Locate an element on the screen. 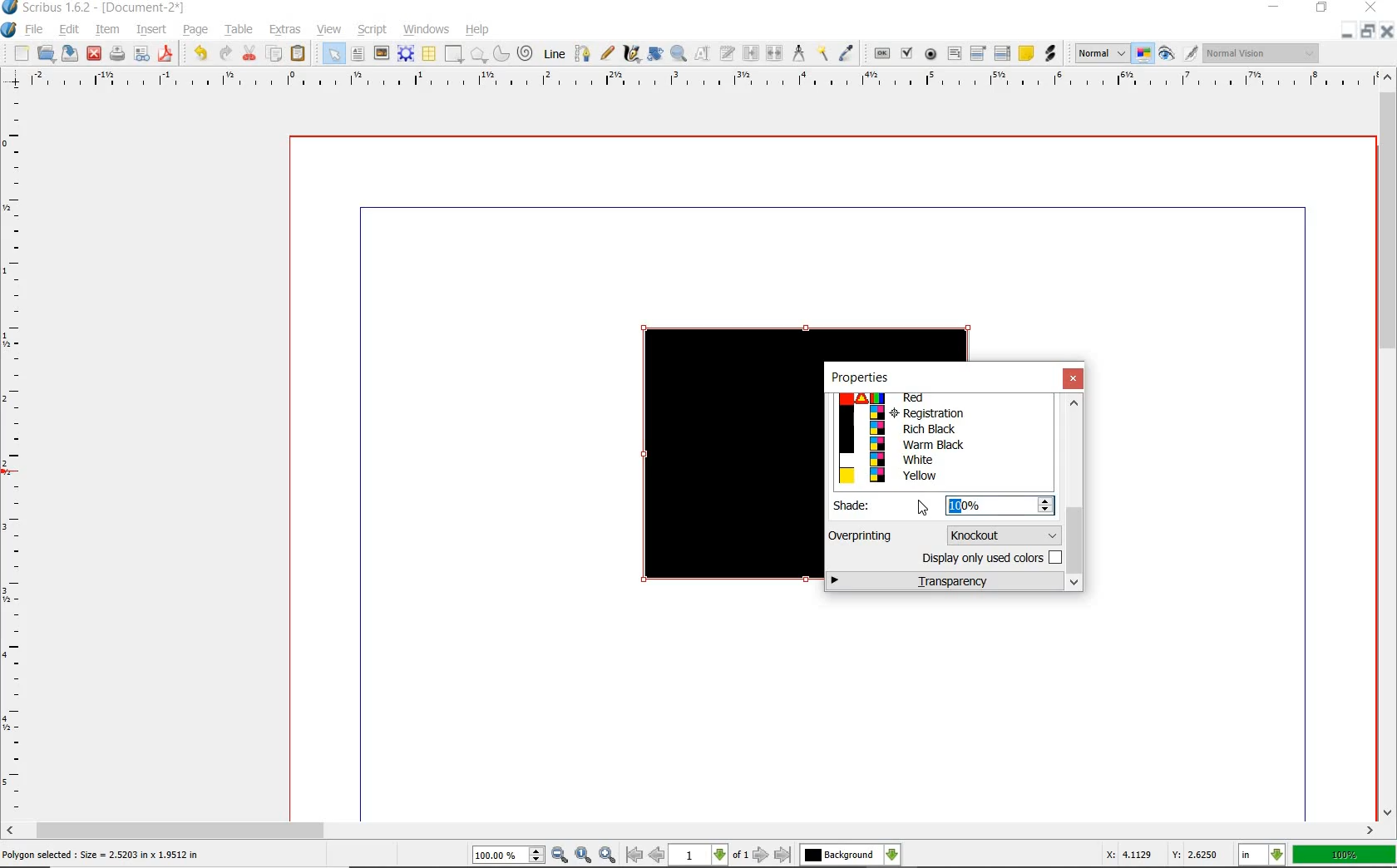 This screenshot has height=868, width=1397. preview mode is located at coordinates (1167, 56).